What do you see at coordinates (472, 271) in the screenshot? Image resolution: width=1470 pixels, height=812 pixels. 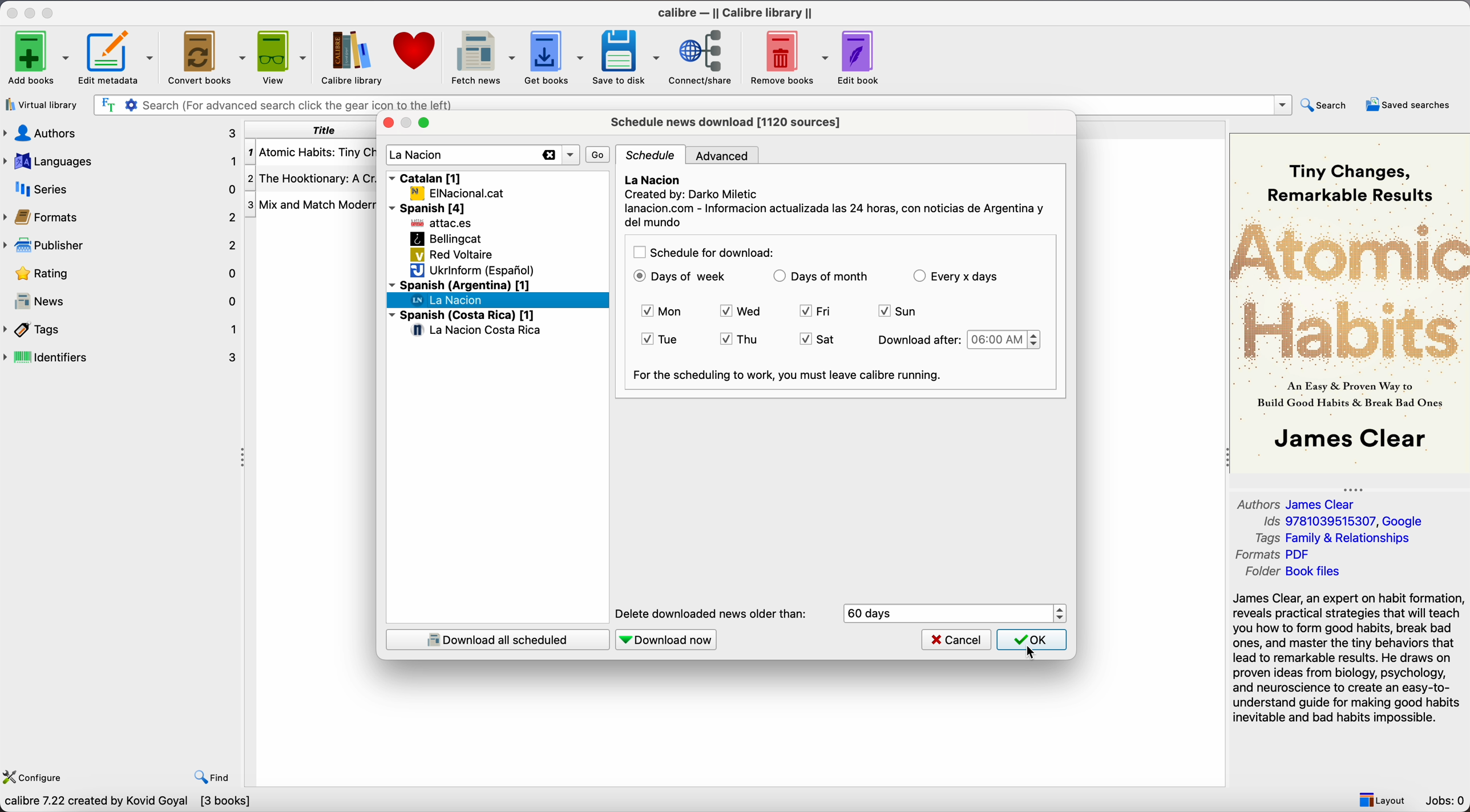 I see `Ukrinform (Español)` at bounding box center [472, 271].